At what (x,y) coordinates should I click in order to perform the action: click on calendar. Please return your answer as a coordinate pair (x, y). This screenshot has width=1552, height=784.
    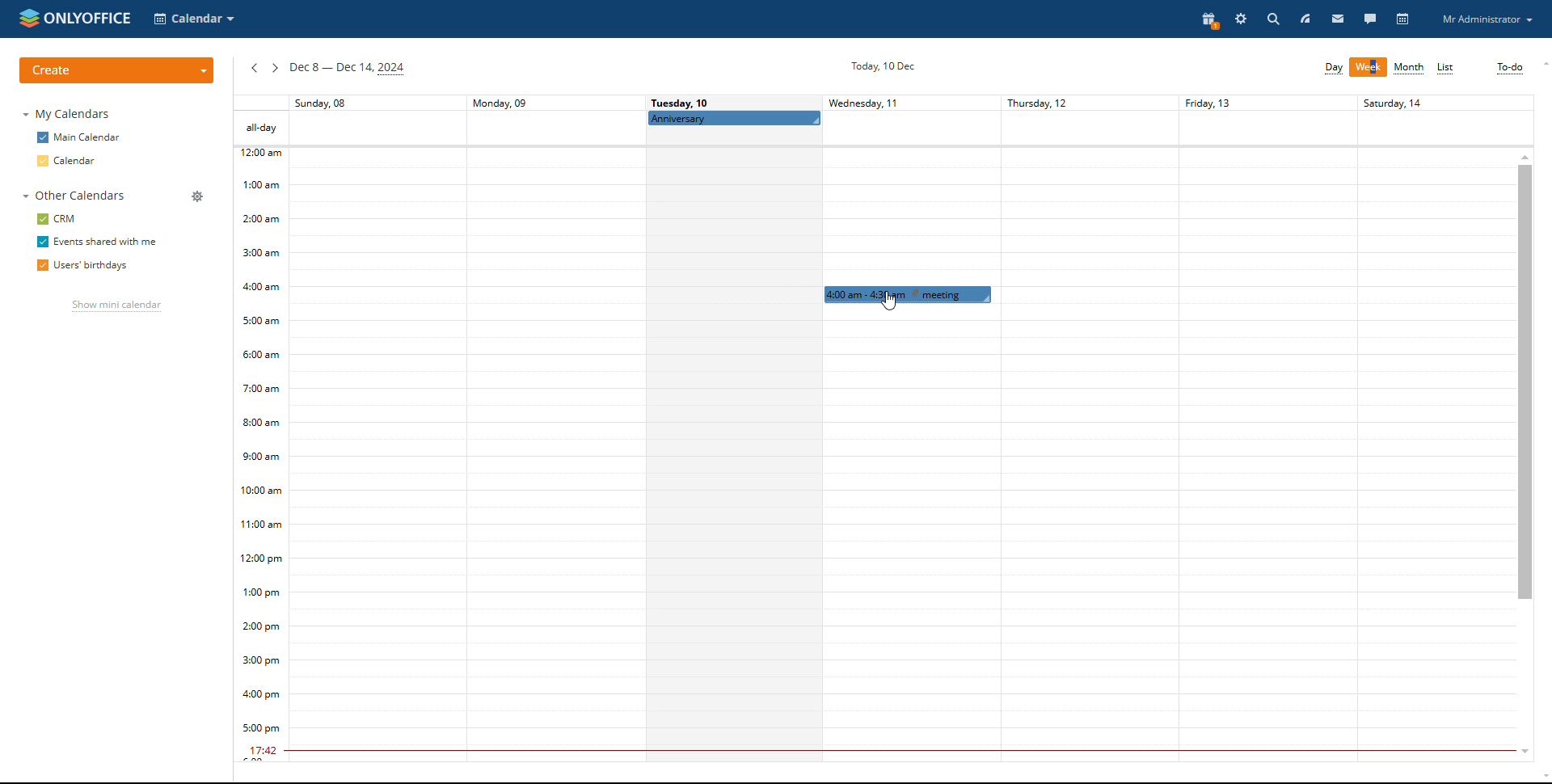
    Looking at the image, I should click on (69, 160).